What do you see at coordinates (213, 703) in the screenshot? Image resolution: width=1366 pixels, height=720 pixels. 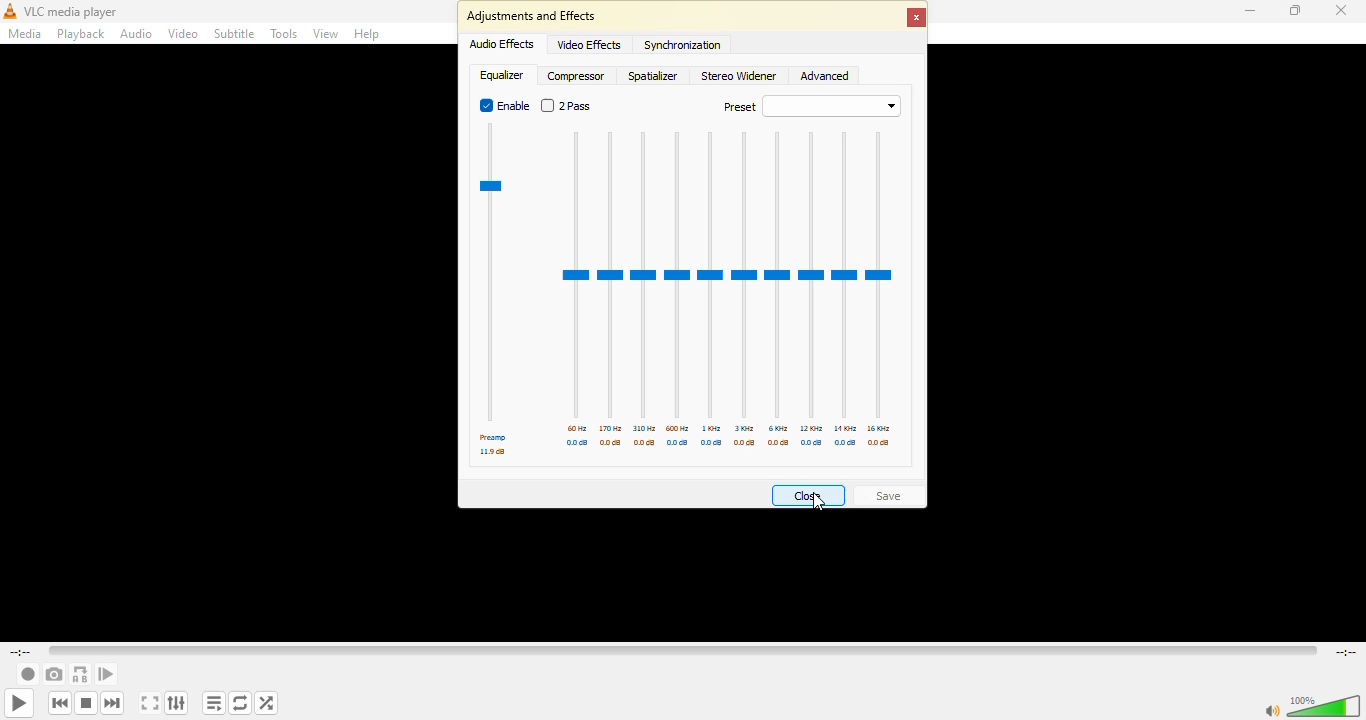 I see `toggle playlist` at bounding box center [213, 703].